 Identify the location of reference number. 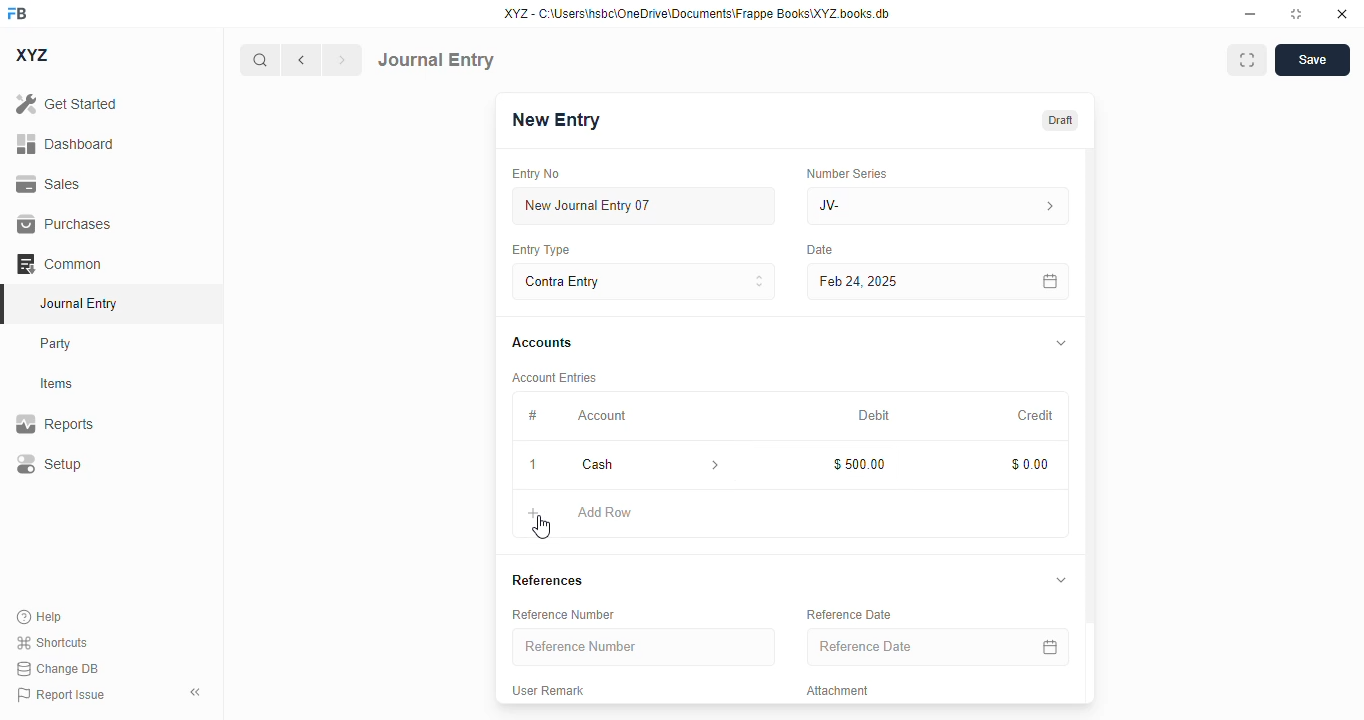
(645, 647).